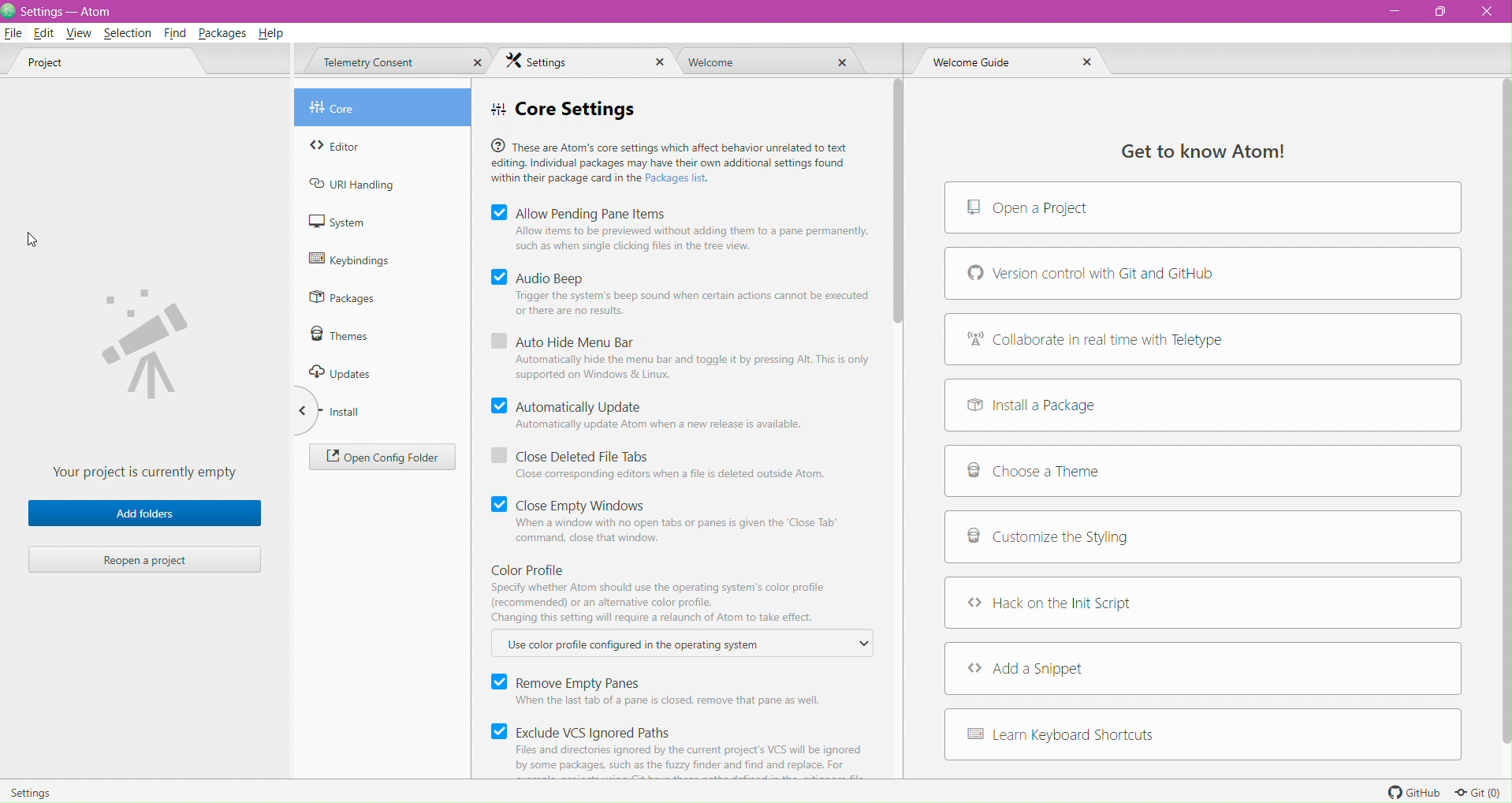 The width and height of the screenshot is (1512, 803). Describe the element at coordinates (662, 63) in the screenshot. I see `Close` at that location.